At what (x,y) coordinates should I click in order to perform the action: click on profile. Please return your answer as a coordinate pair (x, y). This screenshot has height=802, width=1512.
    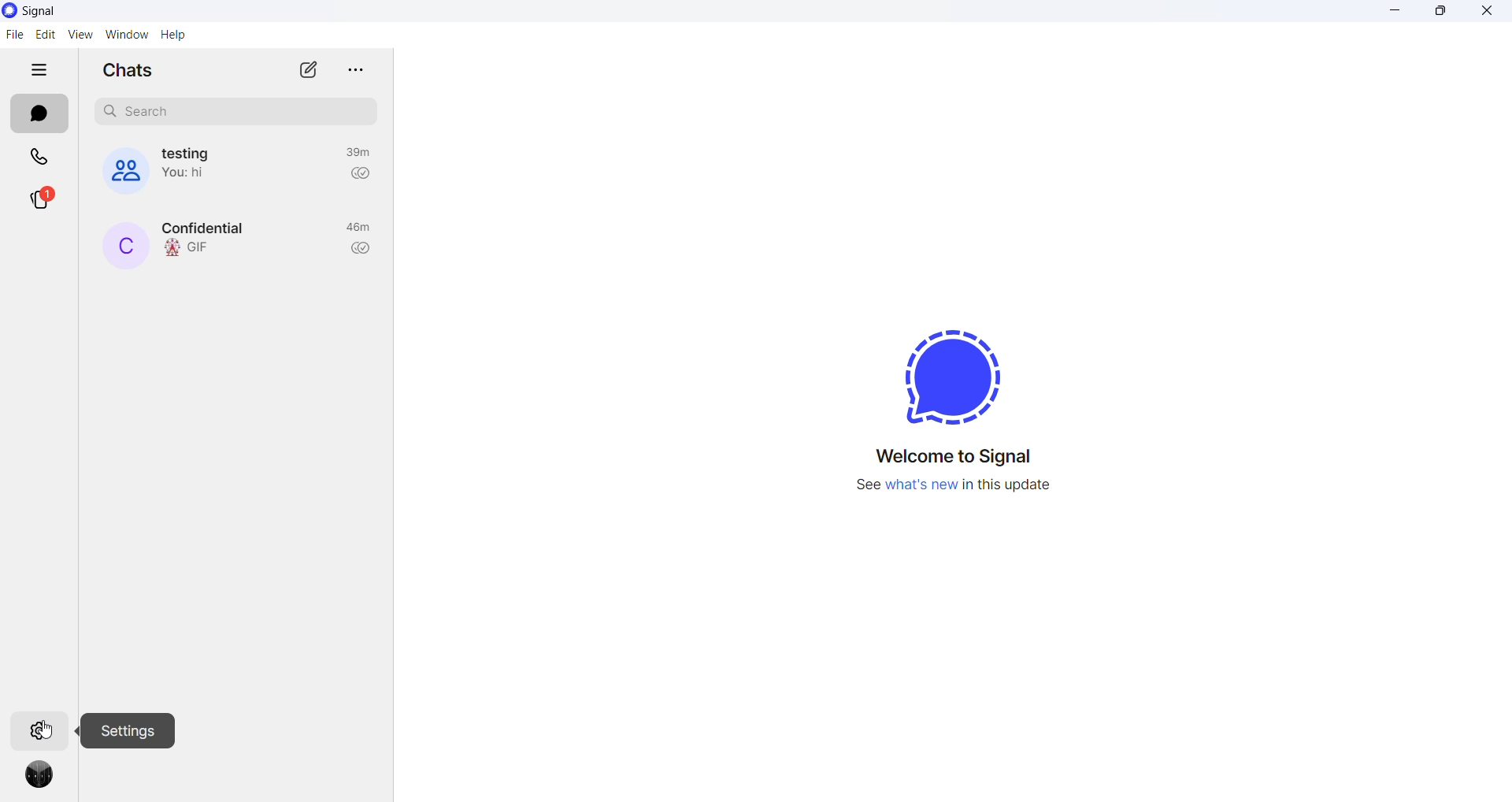
    Looking at the image, I should click on (37, 775).